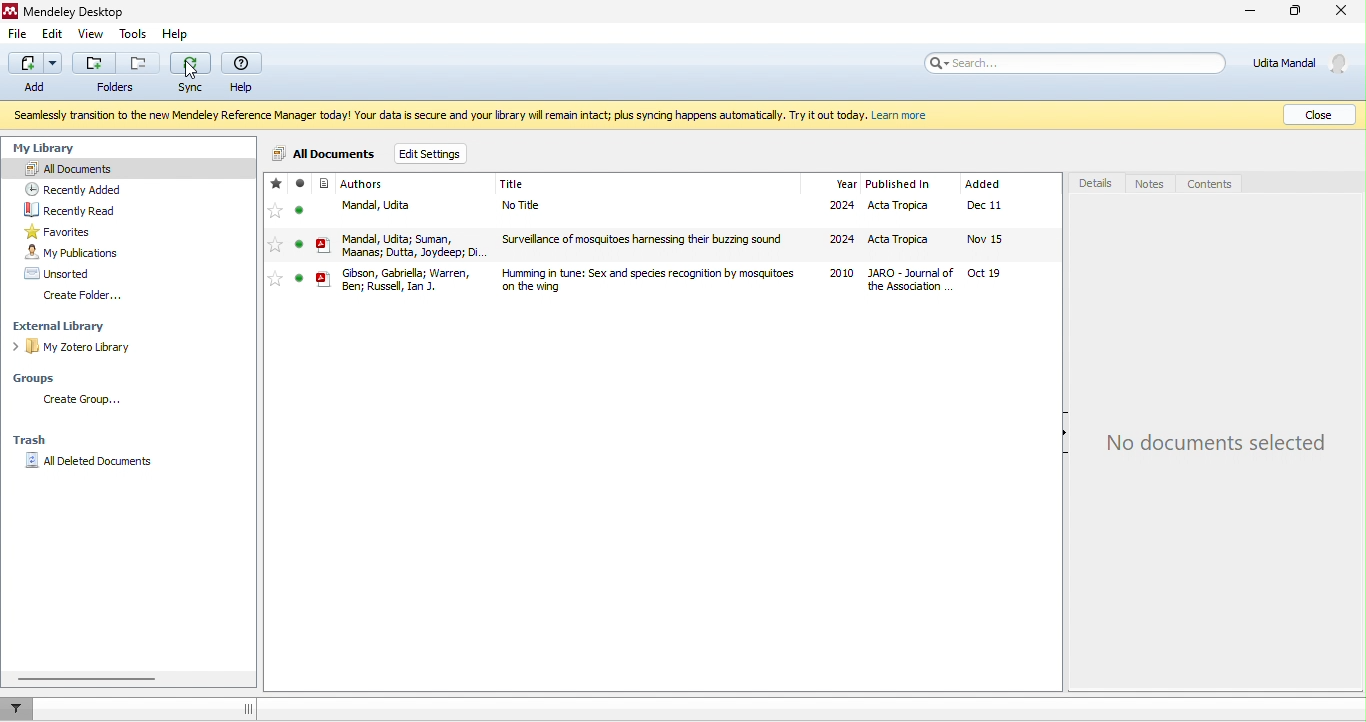 Image resolution: width=1366 pixels, height=722 pixels. What do you see at coordinates (88, 294) in the screenshot?
I see `create folder` at bounding box center [88, 294].